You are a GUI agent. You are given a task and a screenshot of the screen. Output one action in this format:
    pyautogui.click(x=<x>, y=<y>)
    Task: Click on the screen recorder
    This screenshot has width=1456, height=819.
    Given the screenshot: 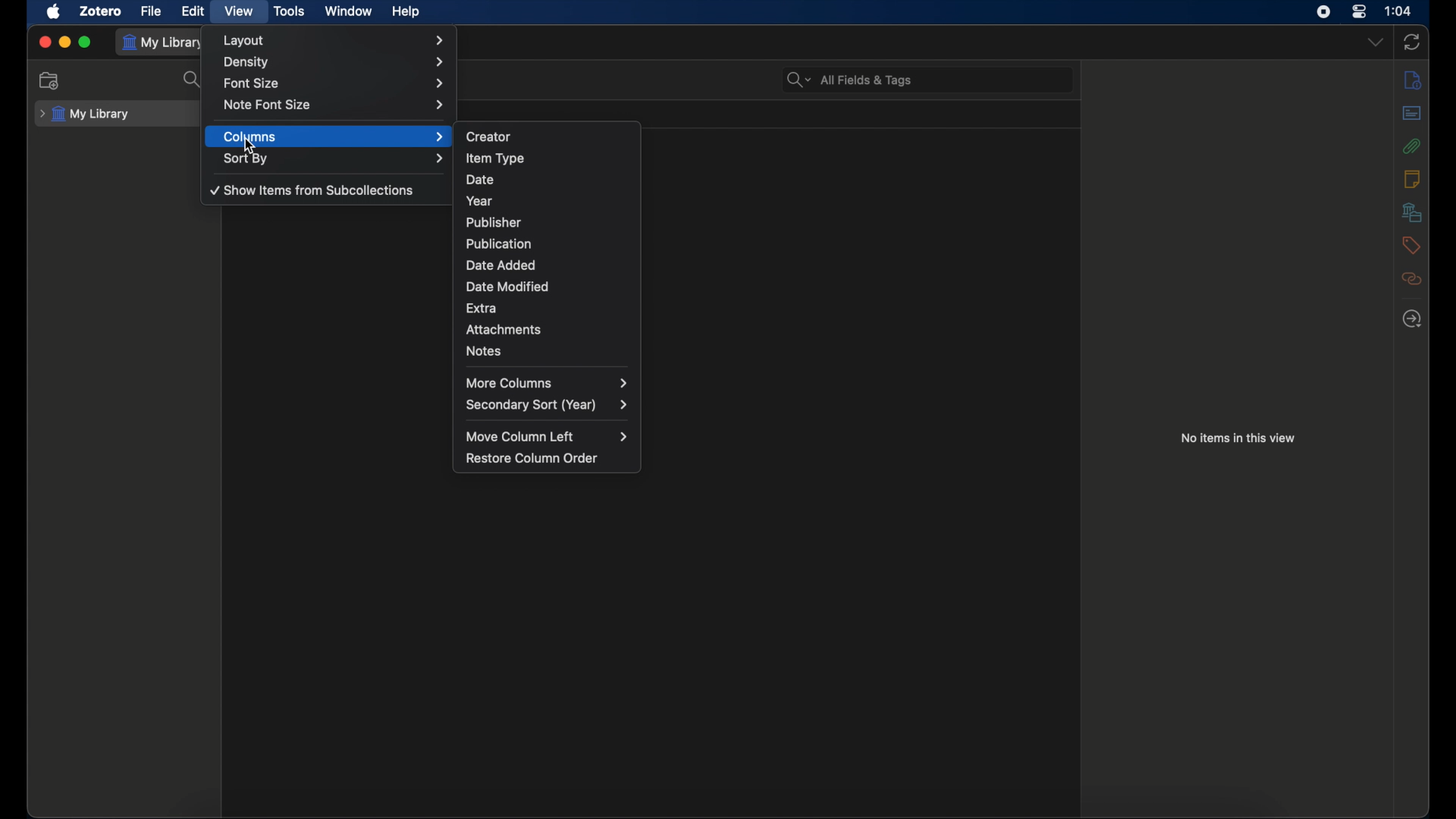 What is the action you would take?
    pyautogui.click(x=1323, y=12)
    